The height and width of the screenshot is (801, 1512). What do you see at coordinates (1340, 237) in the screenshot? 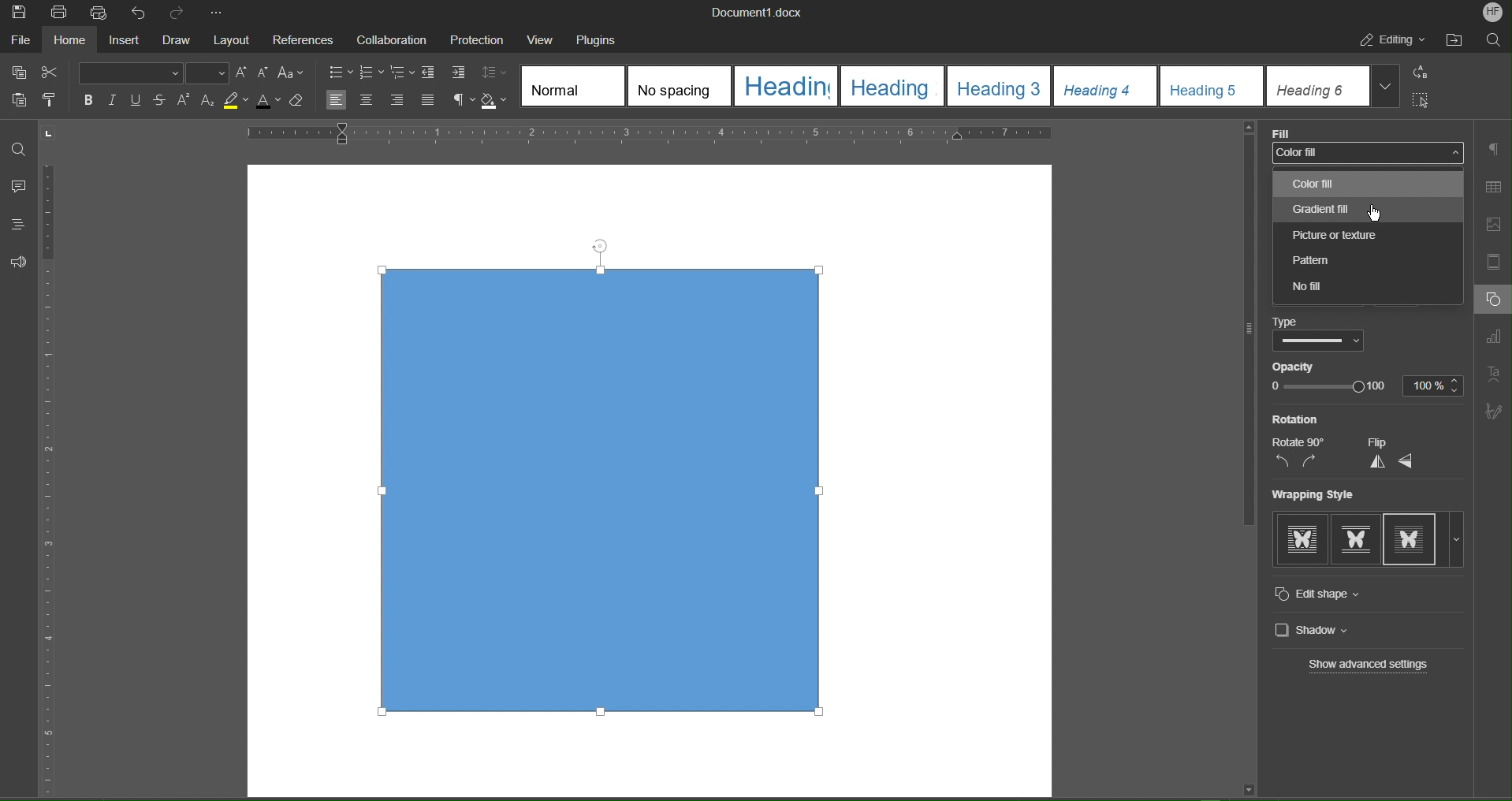
I see `Picture or texture` at bounding box center [1340, 237].